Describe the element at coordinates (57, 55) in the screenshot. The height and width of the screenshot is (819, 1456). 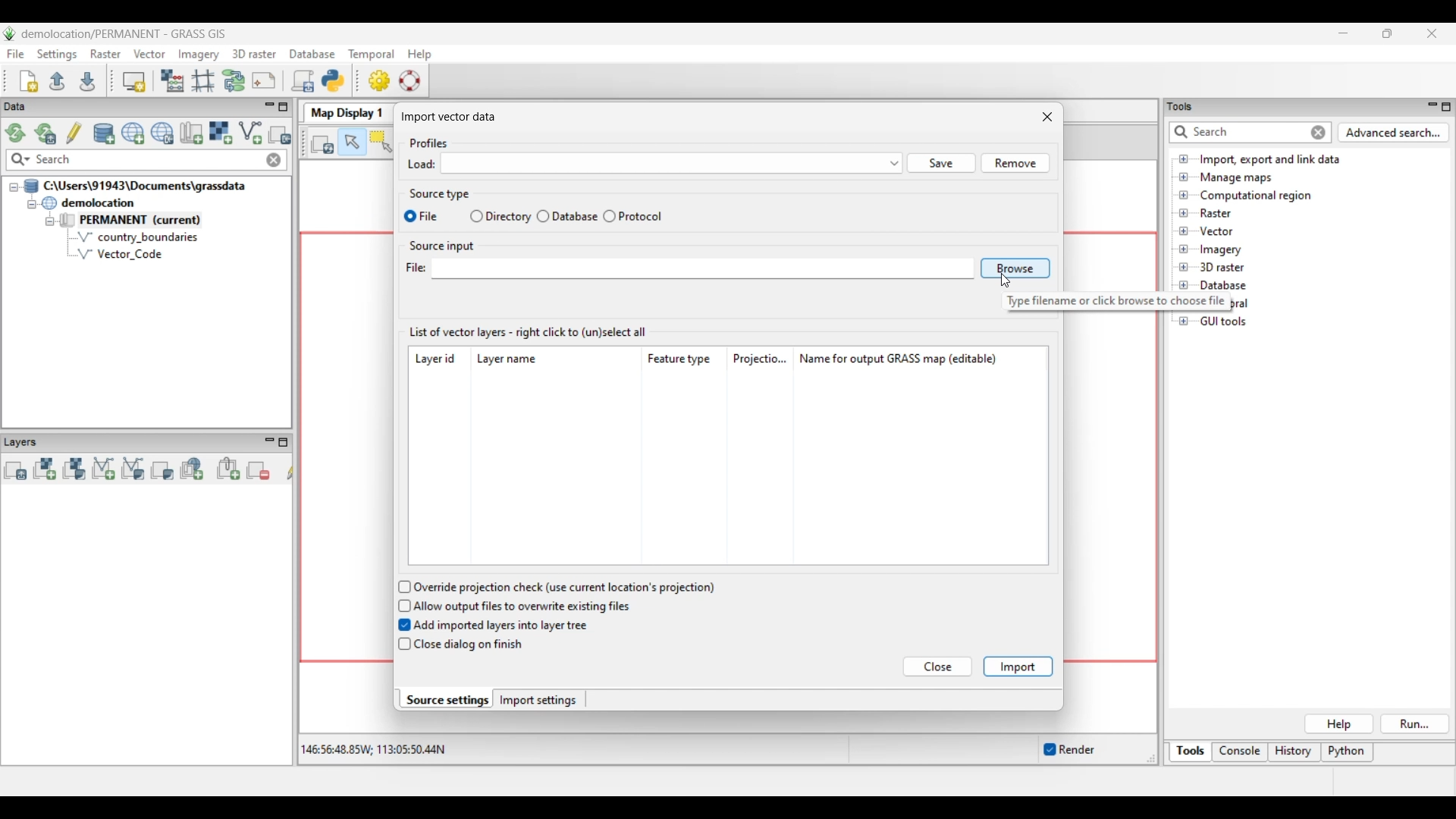
I see `Settings menu` at that location.